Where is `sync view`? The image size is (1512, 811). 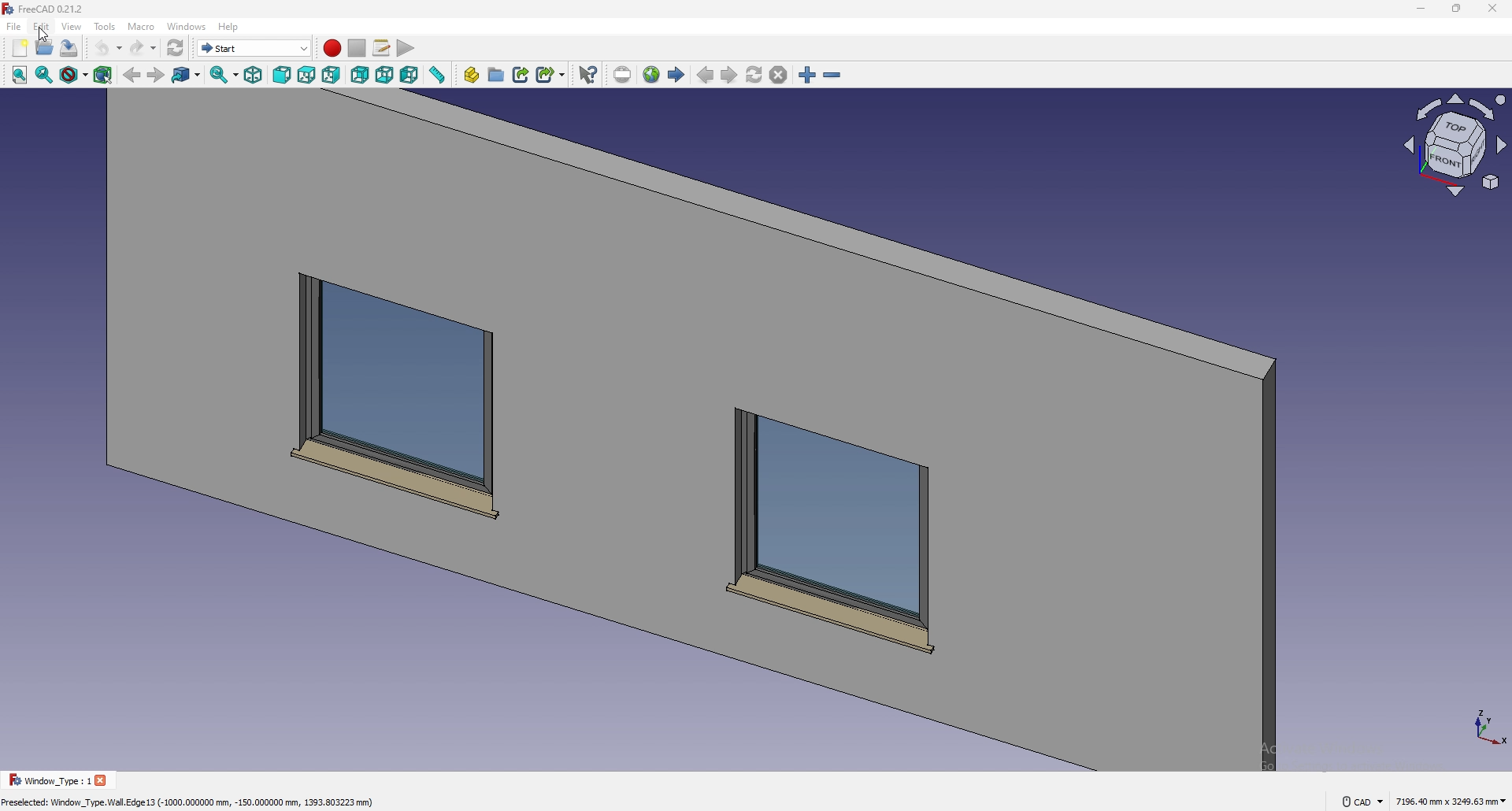
sync view is located at coordinates (224, 75).